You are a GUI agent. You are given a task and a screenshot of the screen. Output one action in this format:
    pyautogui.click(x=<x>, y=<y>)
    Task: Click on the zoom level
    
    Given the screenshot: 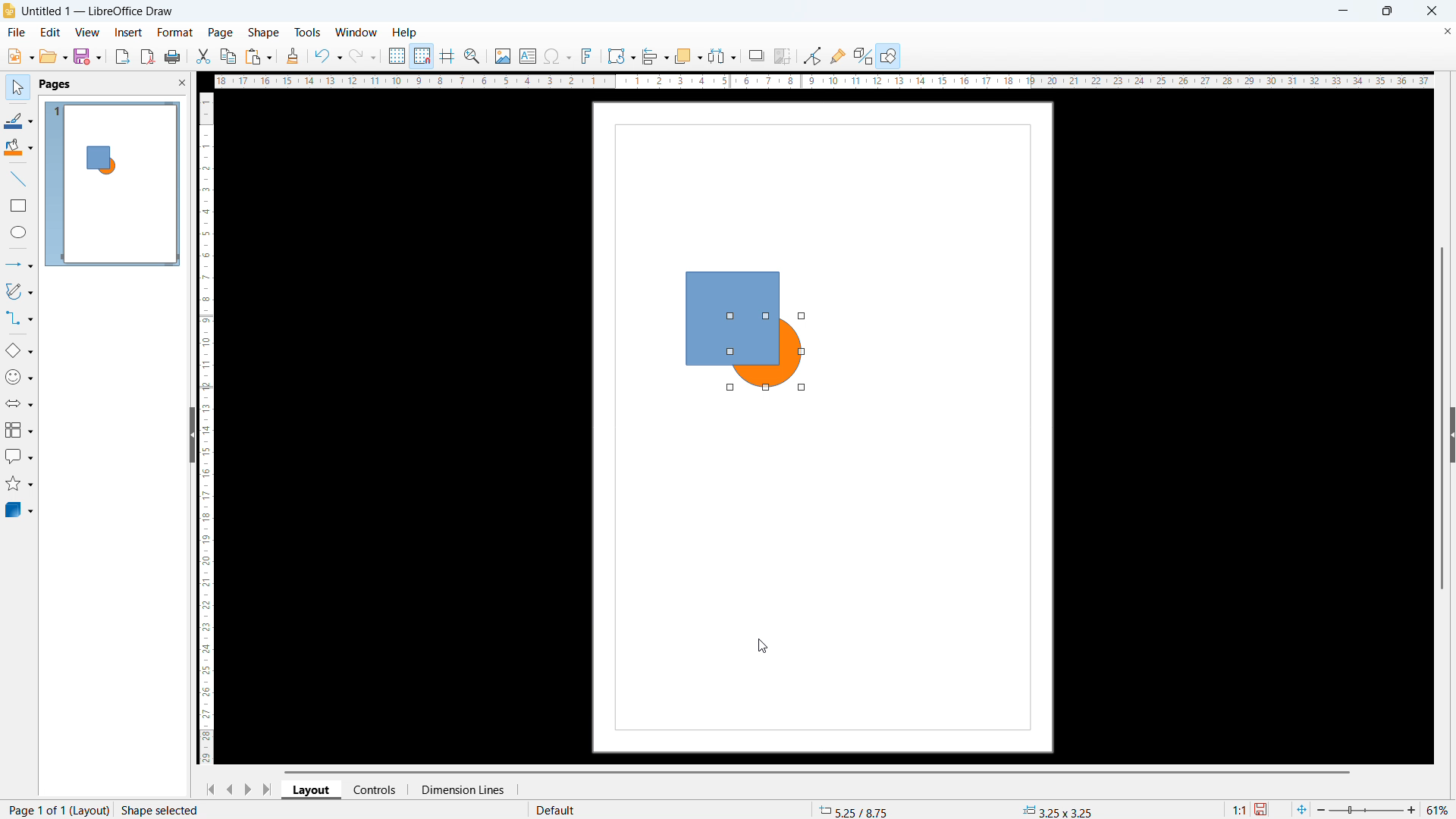 What is the action you would take?
    pyautogui.click(x=1439, y=808)
    